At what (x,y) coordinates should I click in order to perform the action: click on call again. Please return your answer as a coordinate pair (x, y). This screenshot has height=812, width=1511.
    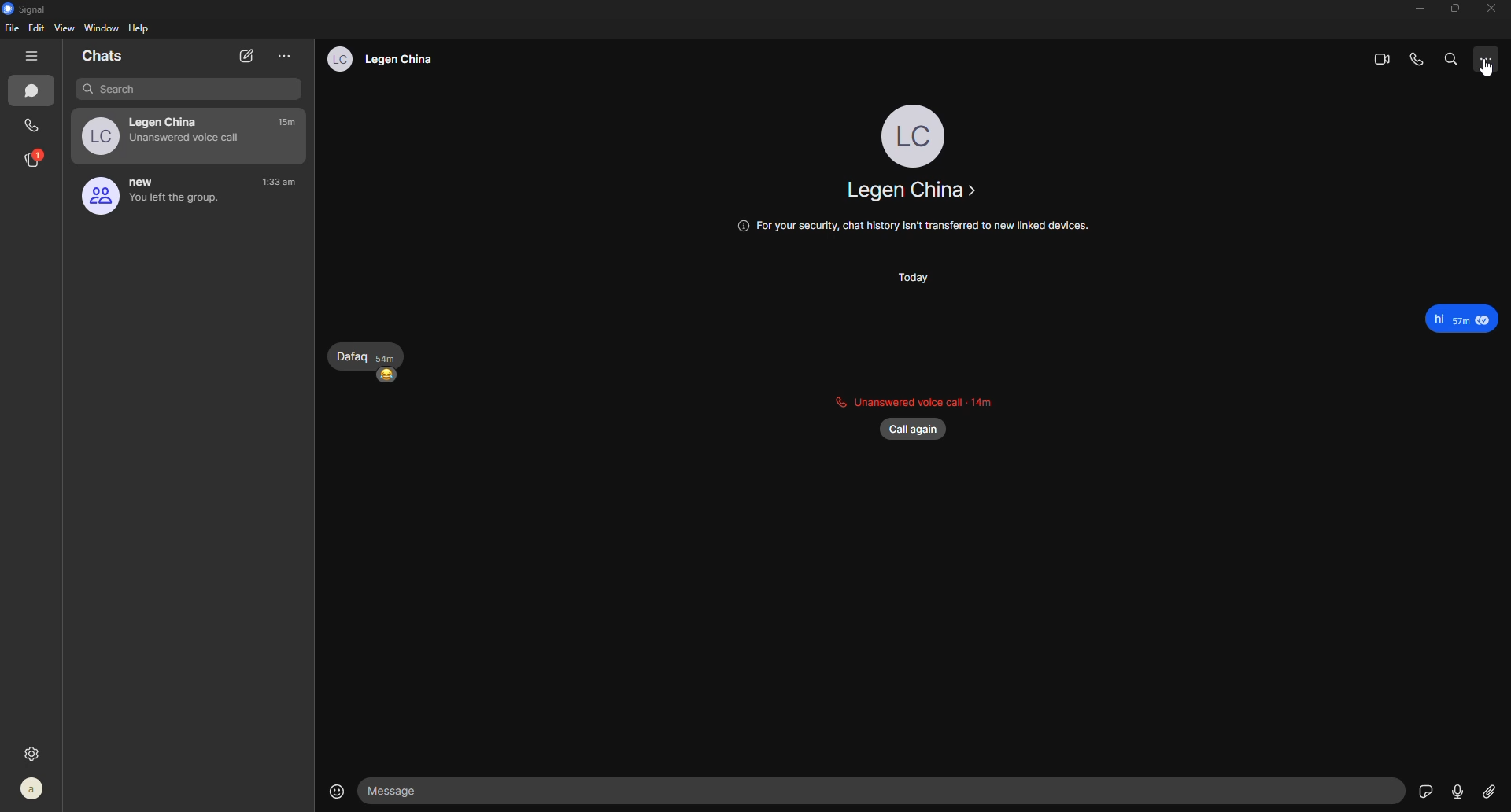
    Looking at the image, I should click on (919, 431).